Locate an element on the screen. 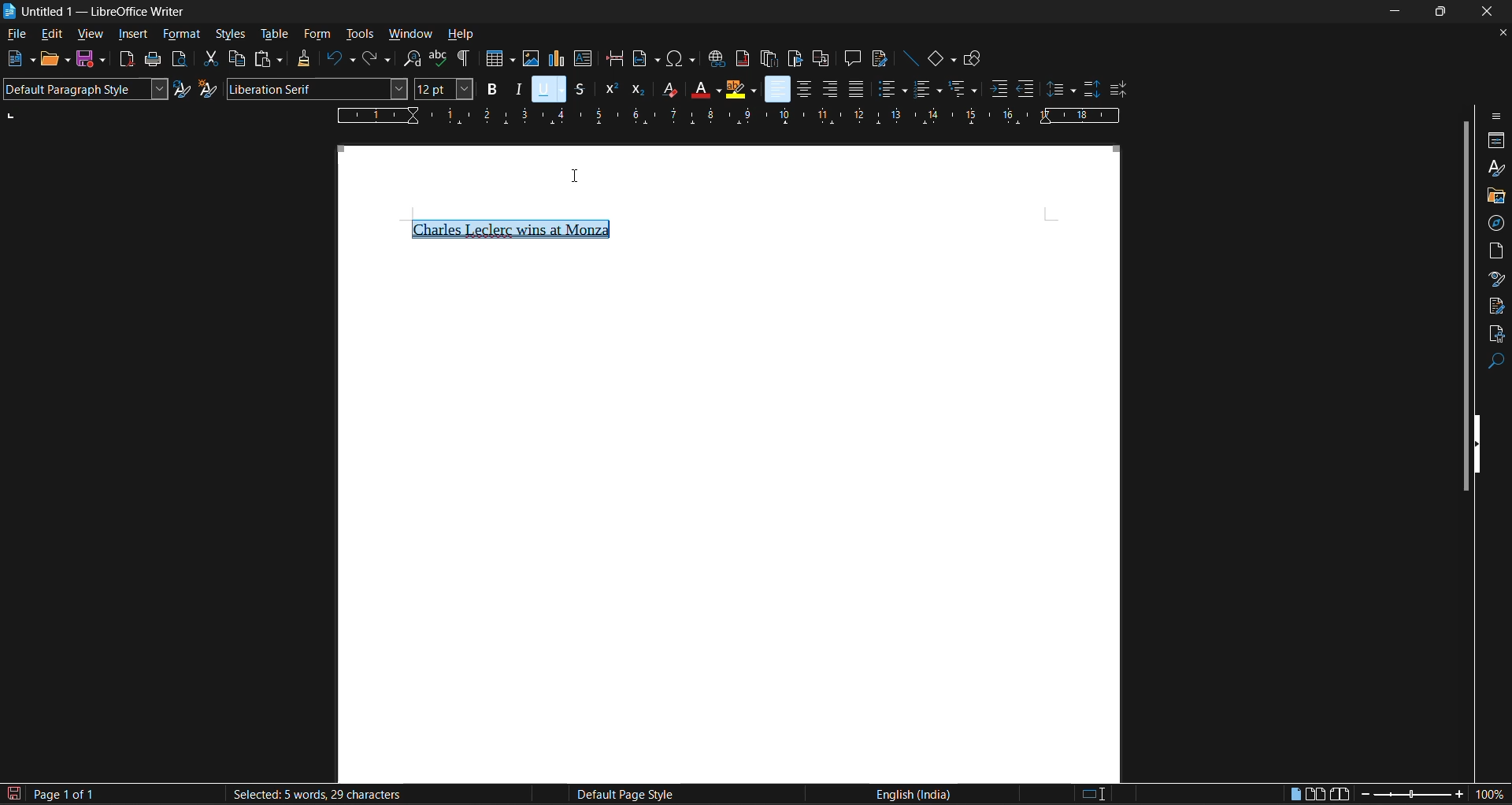 This screenshot has height=805, width=1512. vertical slide bar is located at coordinates (1465, 303).